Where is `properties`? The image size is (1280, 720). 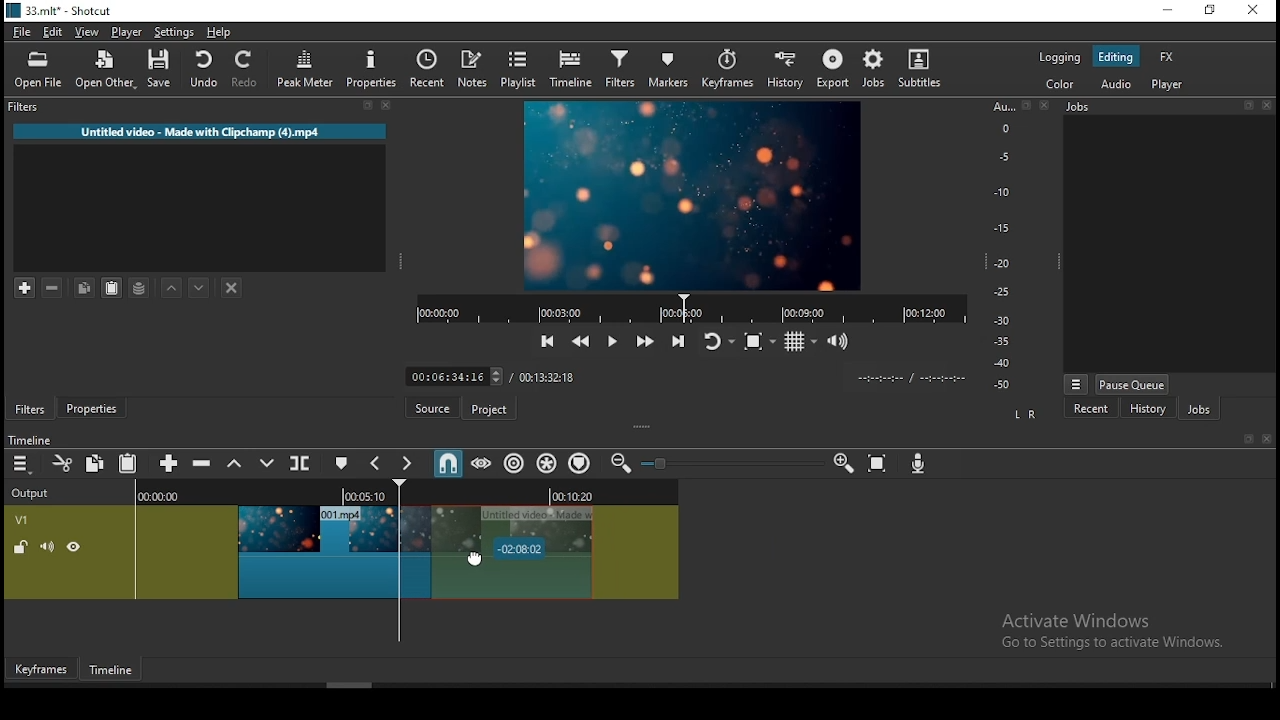
properties is located at coordinates (96, 409).